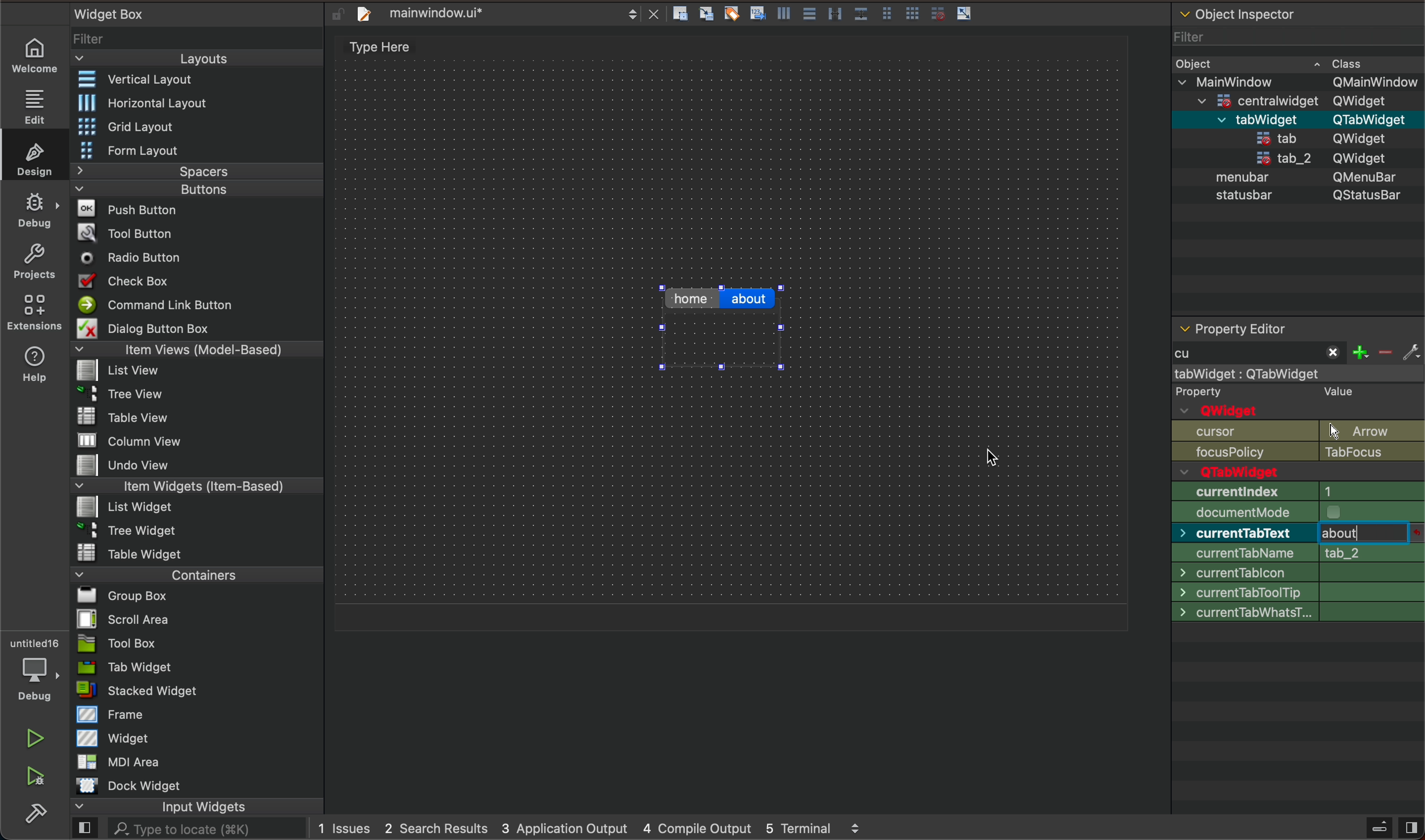  Describe the element at coordinates (198, 58) in the screenshot. I see `Layouts` at that location.